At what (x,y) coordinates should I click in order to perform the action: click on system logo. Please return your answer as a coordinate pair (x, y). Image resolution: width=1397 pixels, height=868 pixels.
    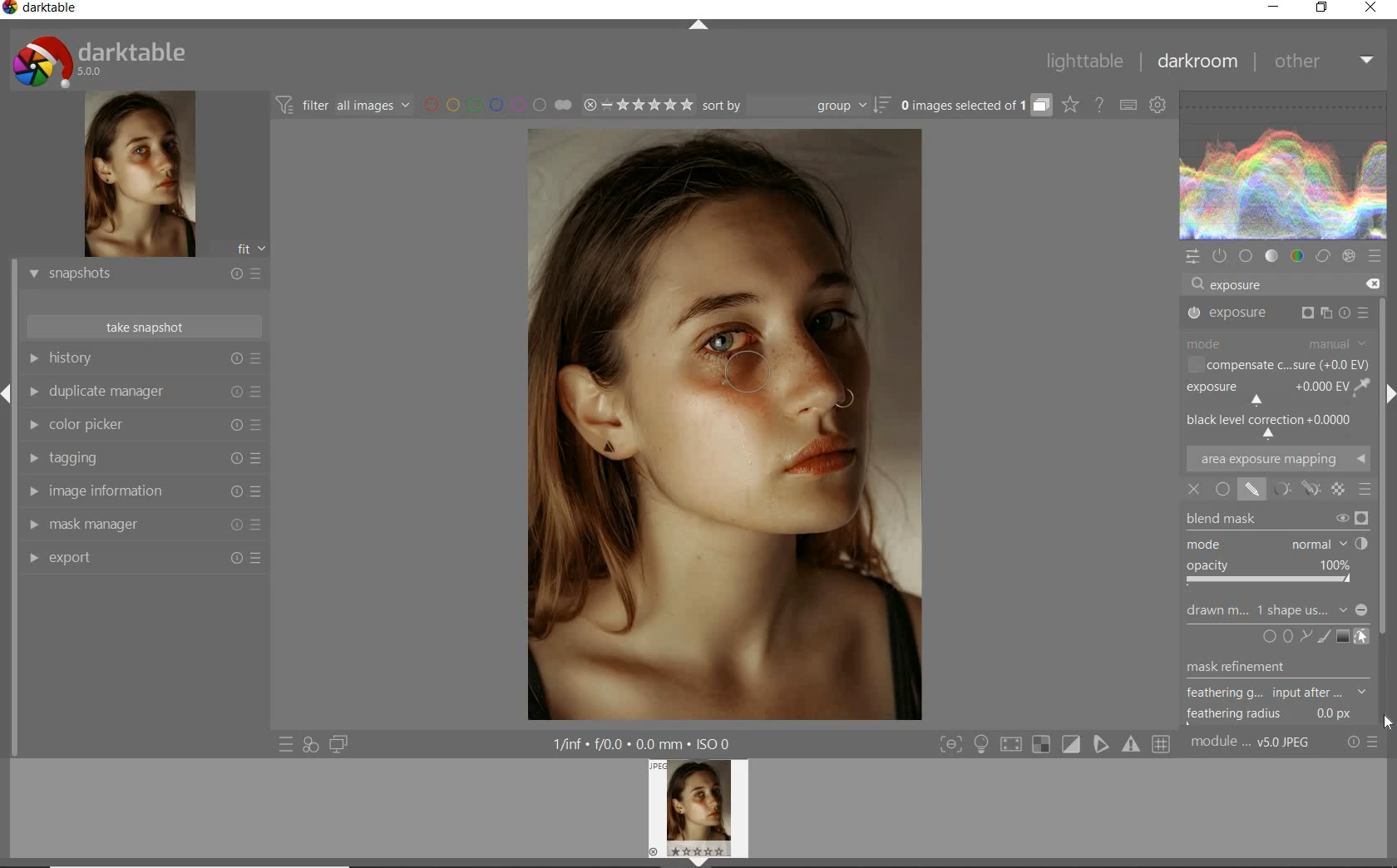
    Looking at the image, I should click on (108, 59).